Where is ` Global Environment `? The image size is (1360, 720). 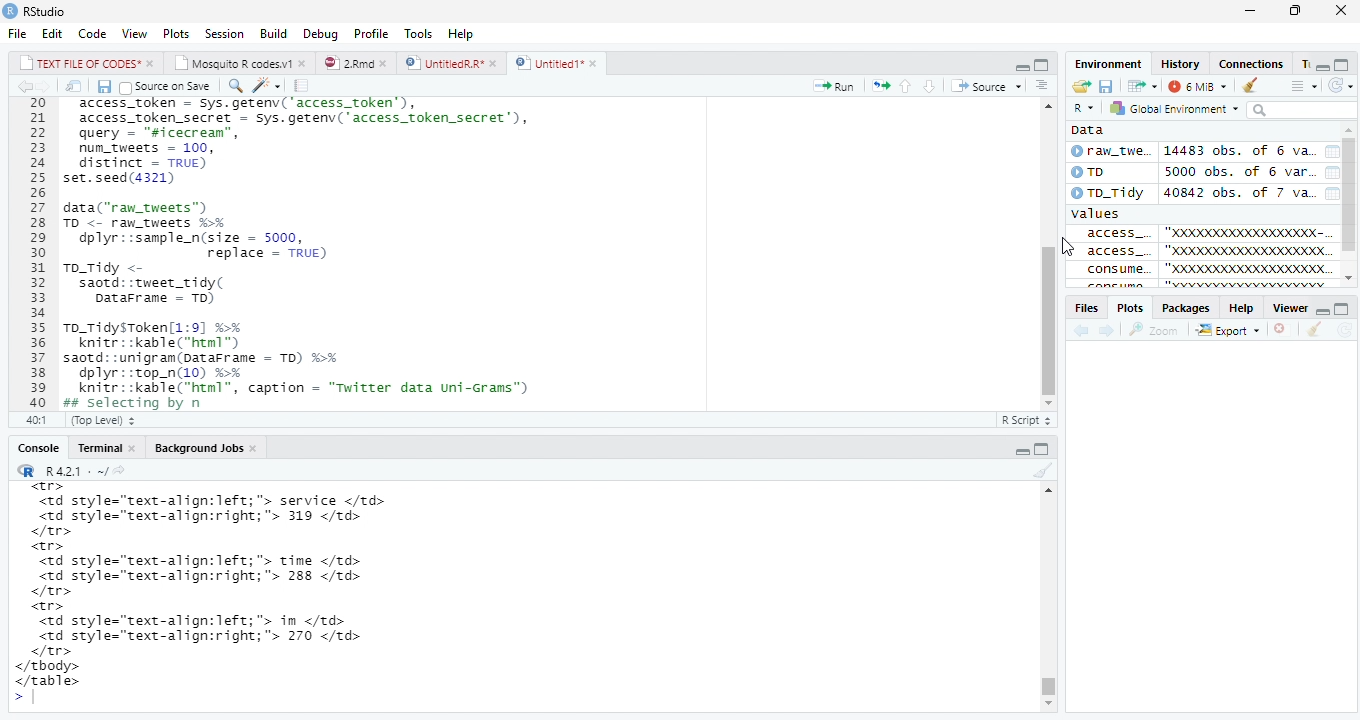
 Global Environment  is located at coordinates (1178, 110).